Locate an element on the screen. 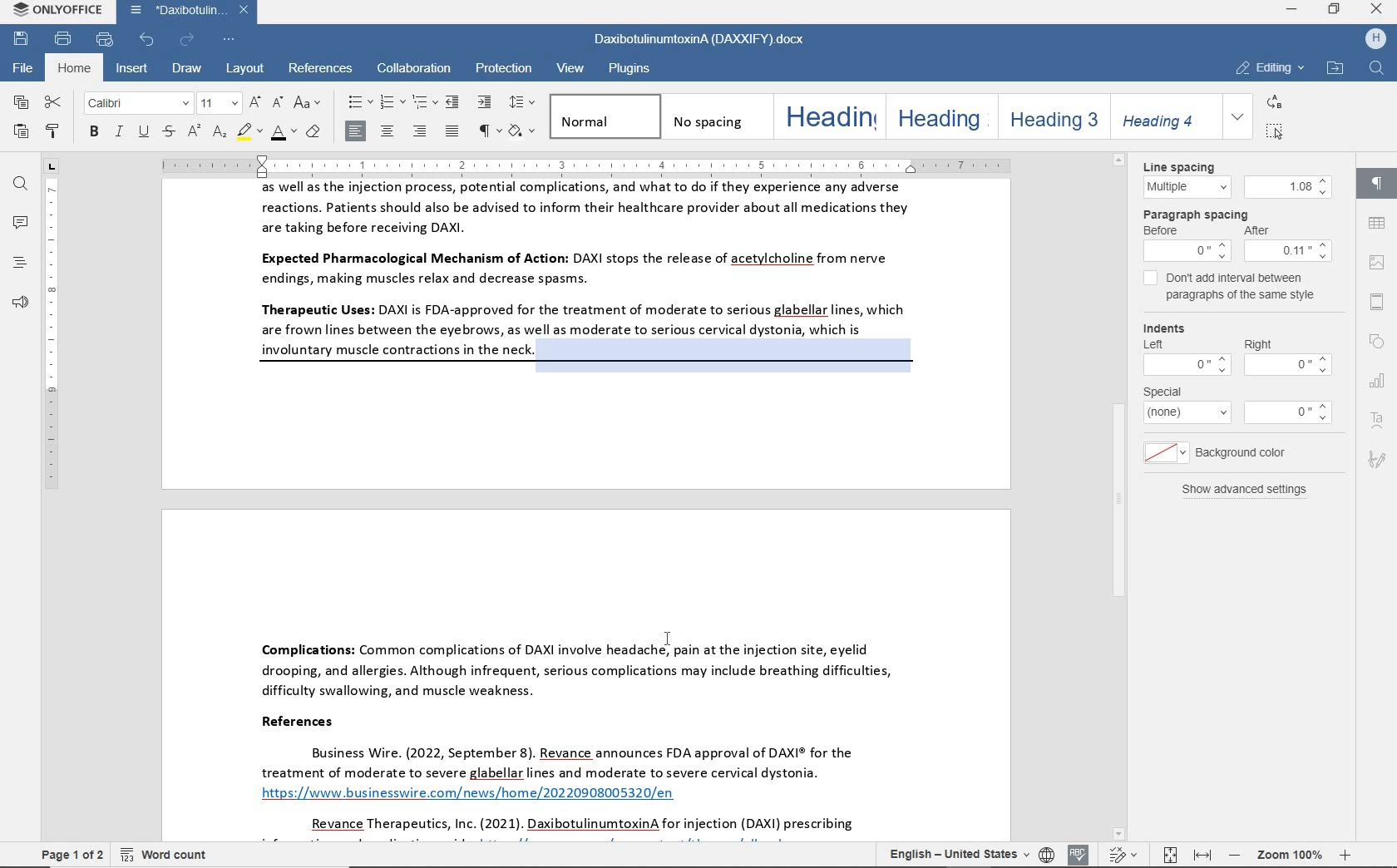 This screenshot has width=1397, height=868. draw is located at coordinates (189, 71).